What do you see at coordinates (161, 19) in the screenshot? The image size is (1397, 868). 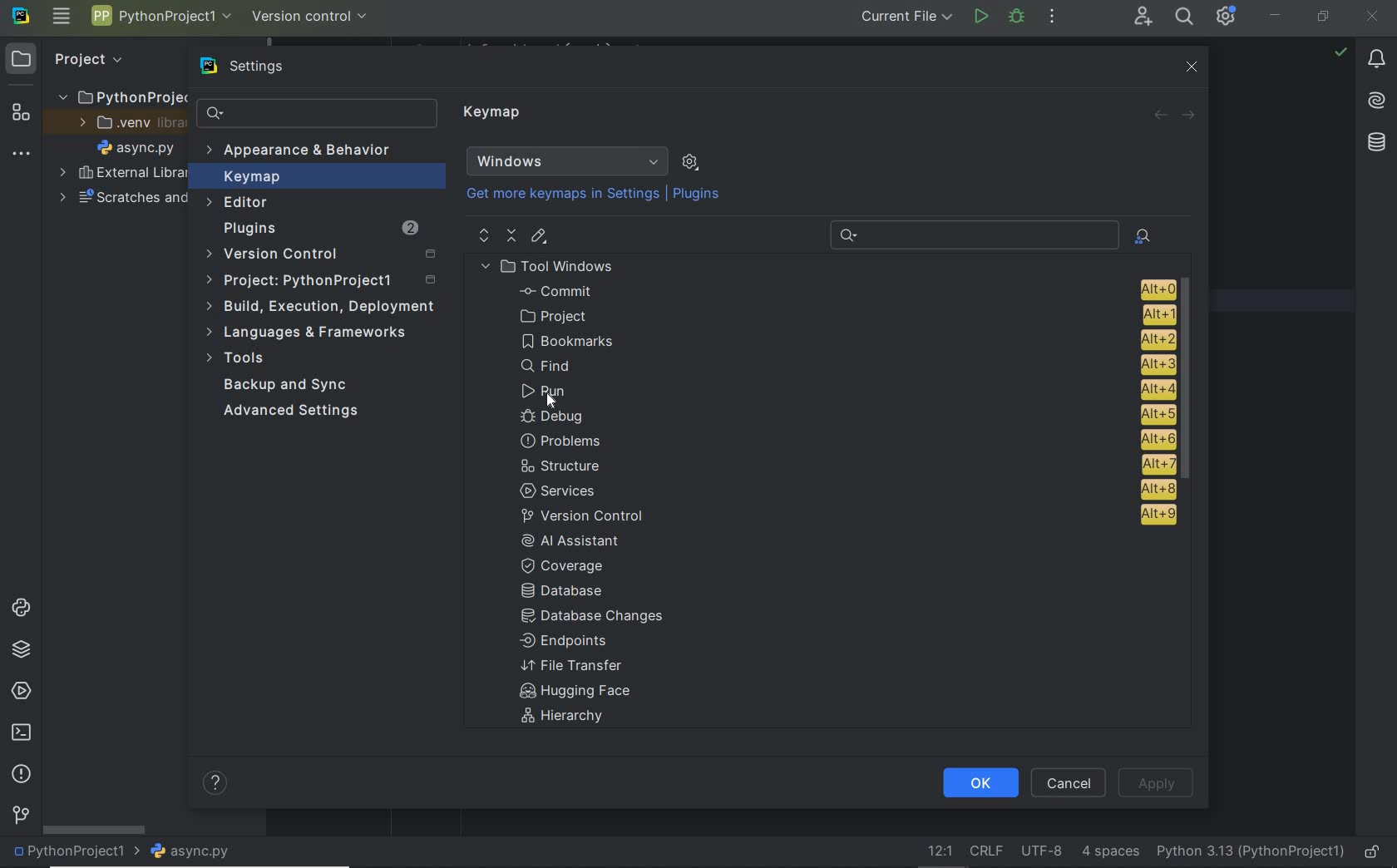 I see `Project name` at bounding box center [161, 19].